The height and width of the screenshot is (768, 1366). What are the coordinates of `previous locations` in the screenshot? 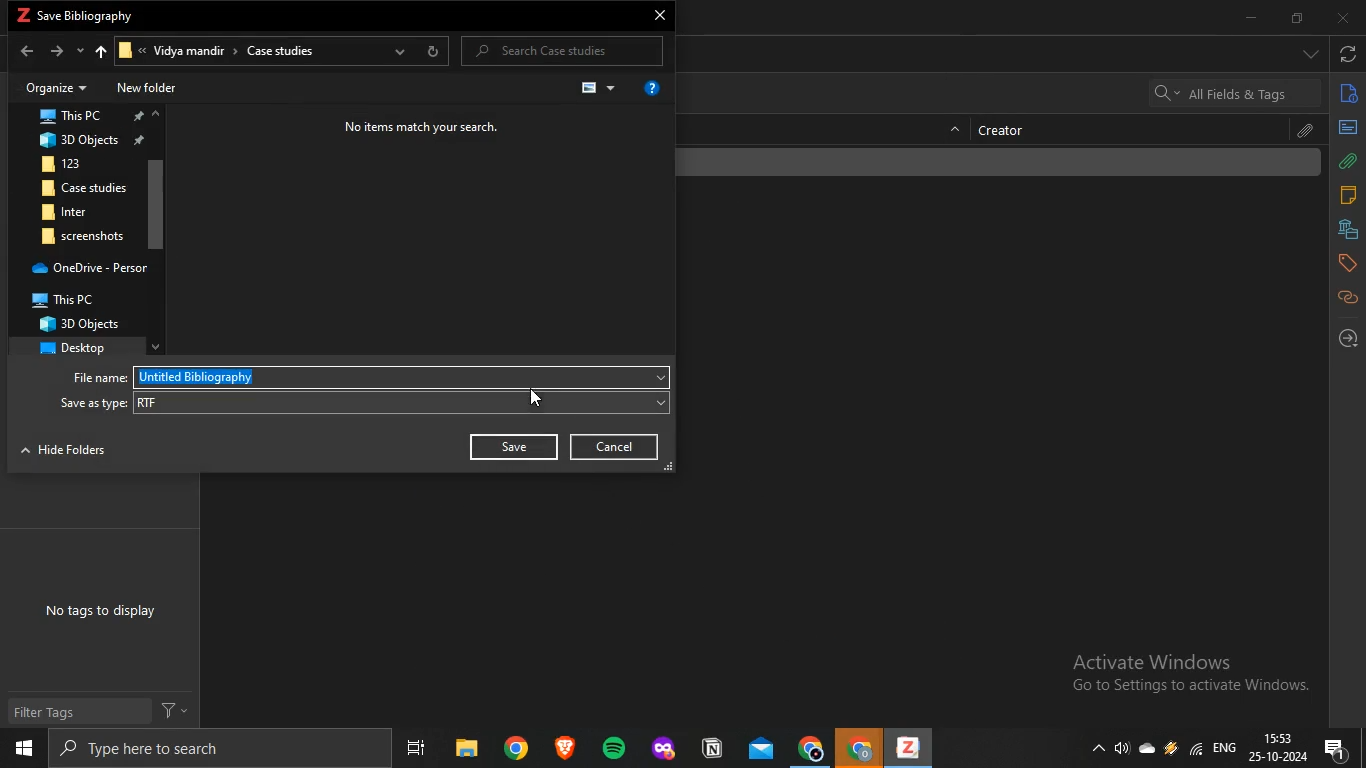 It's located at (400, 50).